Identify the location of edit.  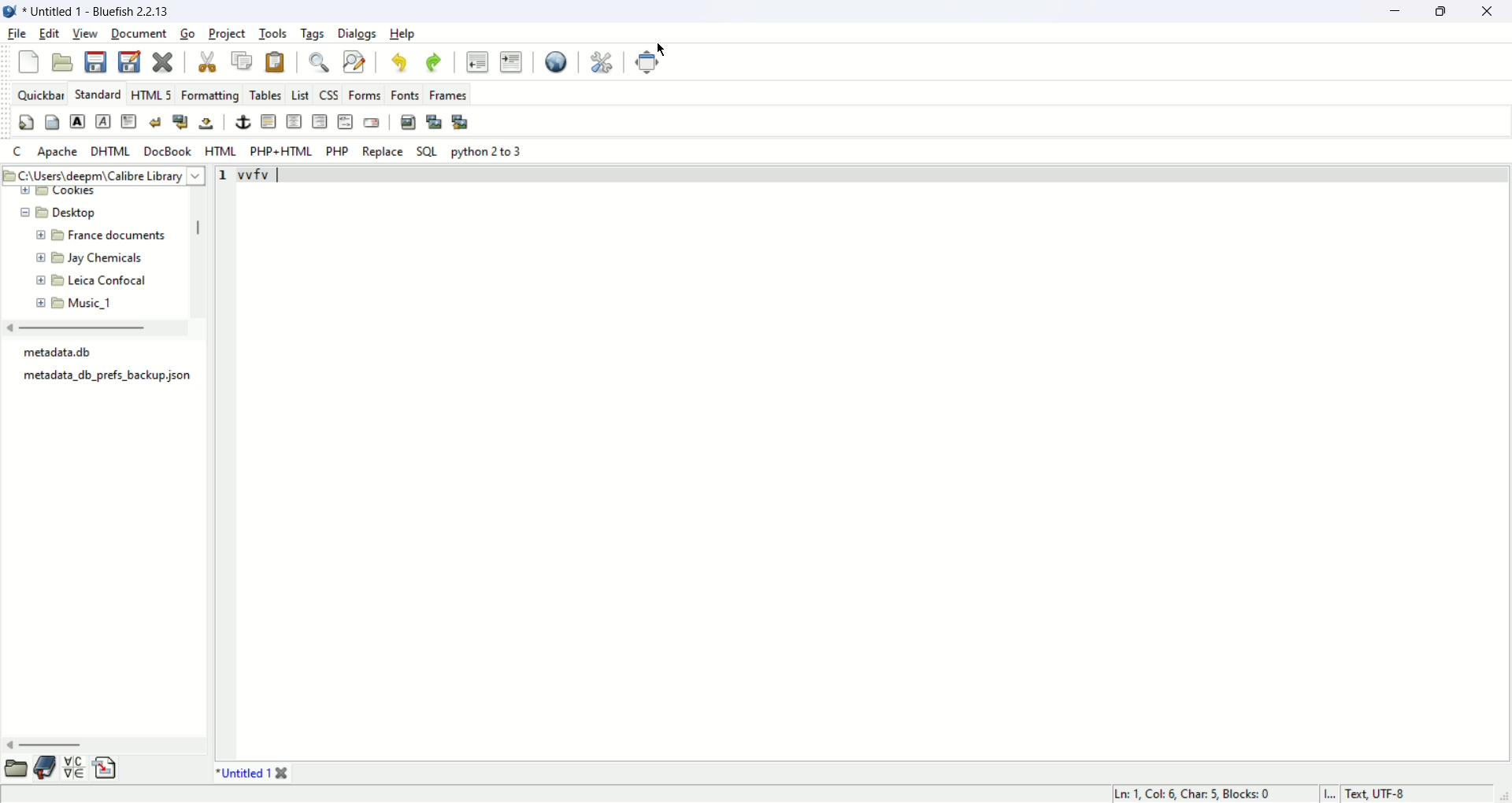
(50, 34).